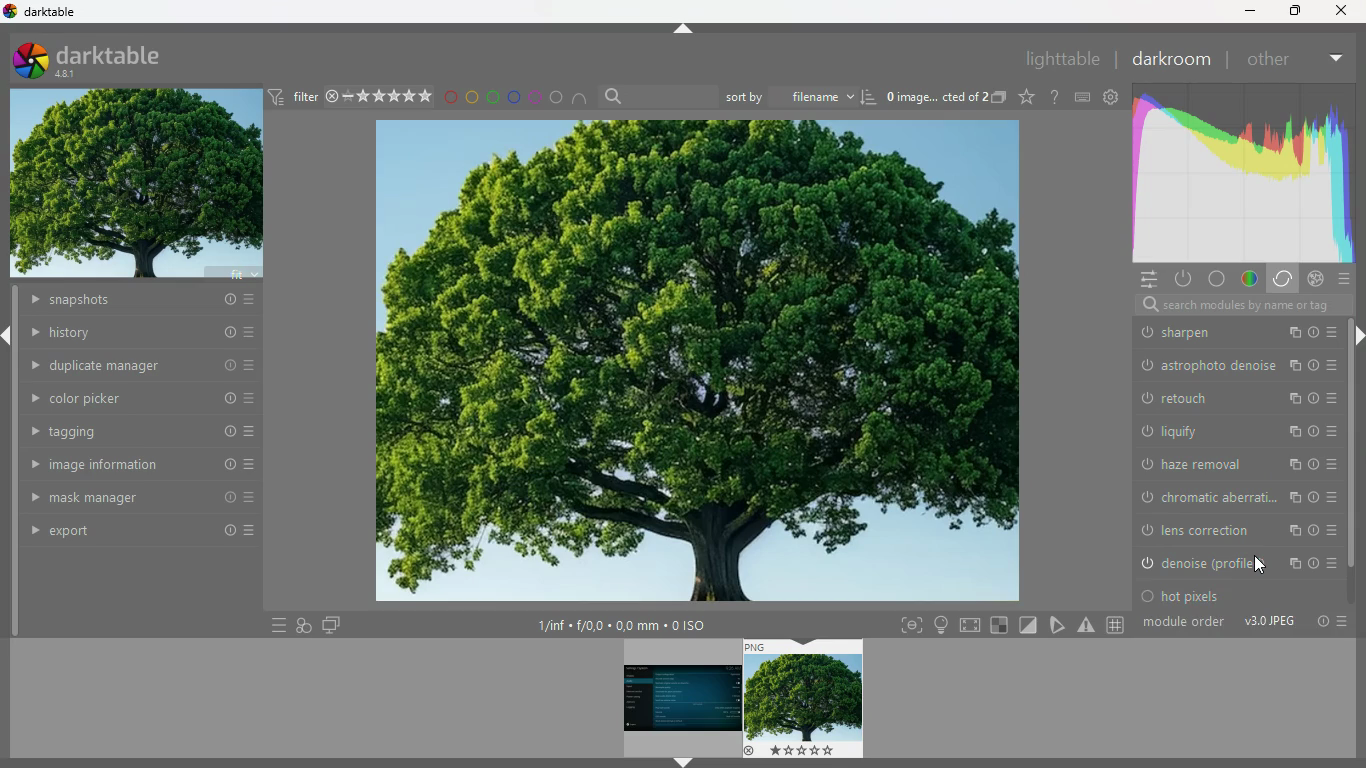 This screenshot has height=768, width=1366. Describe the element at coordinates (1238, 461) in the screenshot. I see `black relative exposure` at that location.